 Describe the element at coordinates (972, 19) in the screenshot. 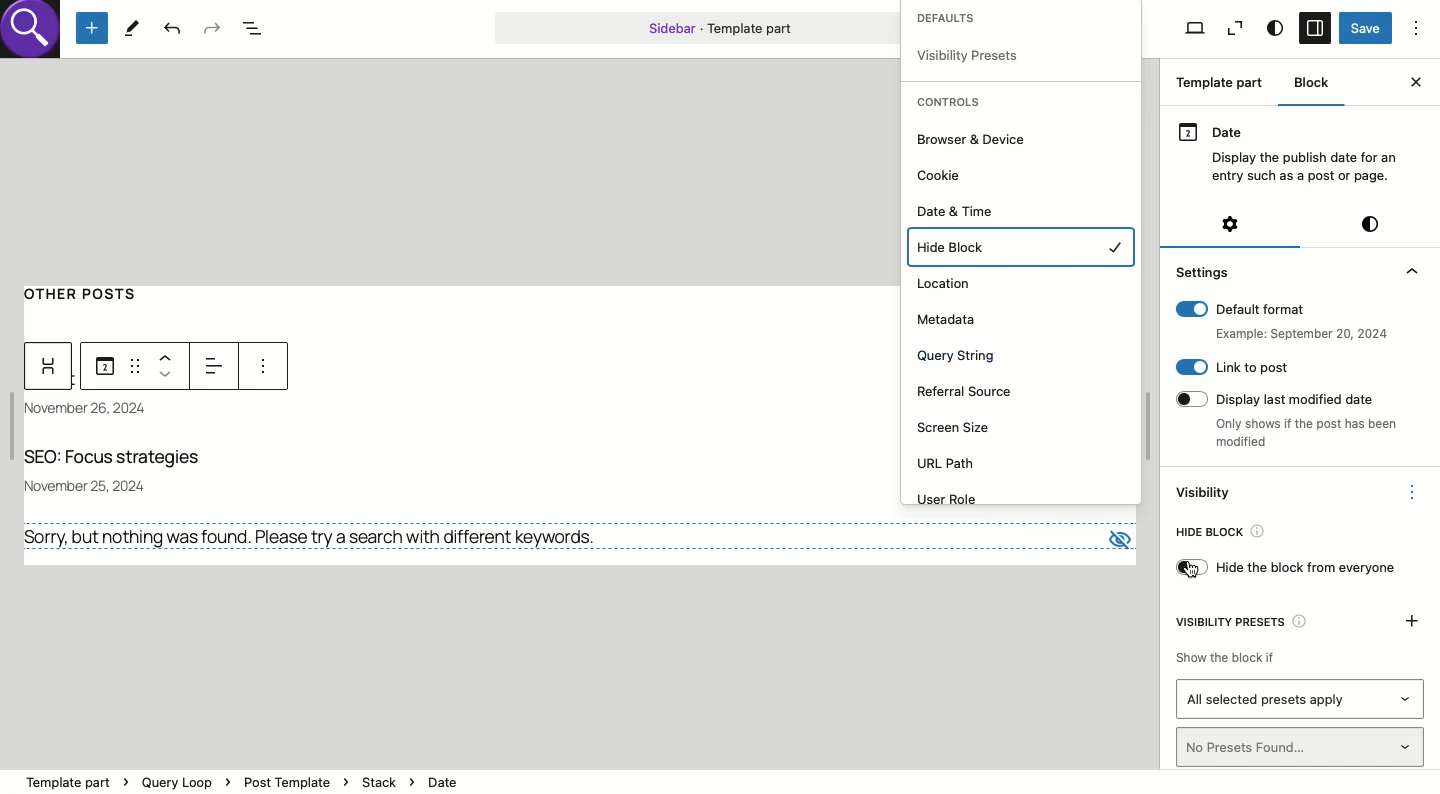

I see `Defaults` at that location.